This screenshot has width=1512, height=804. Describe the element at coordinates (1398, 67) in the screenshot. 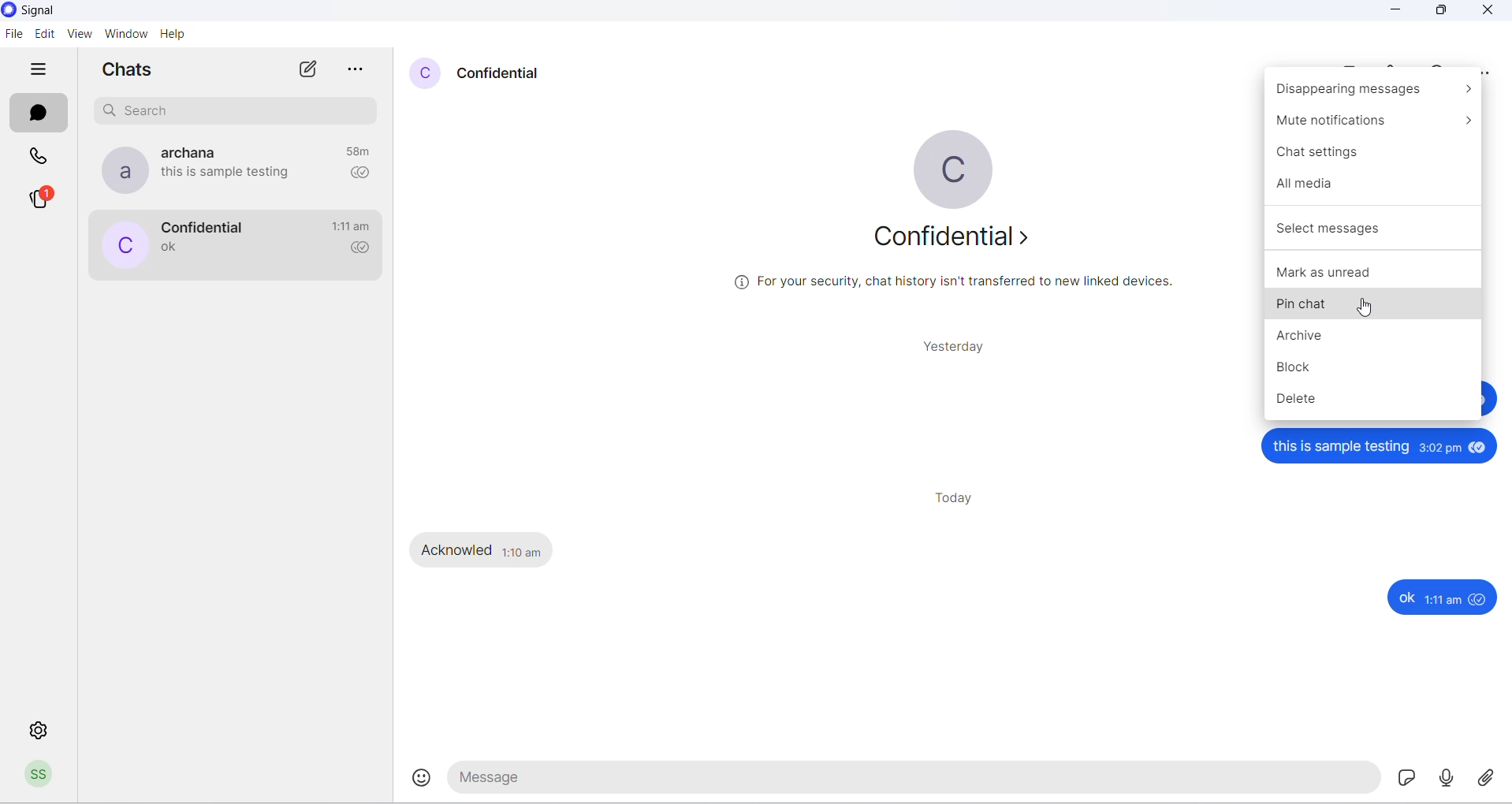

I see `voice call` at that location.